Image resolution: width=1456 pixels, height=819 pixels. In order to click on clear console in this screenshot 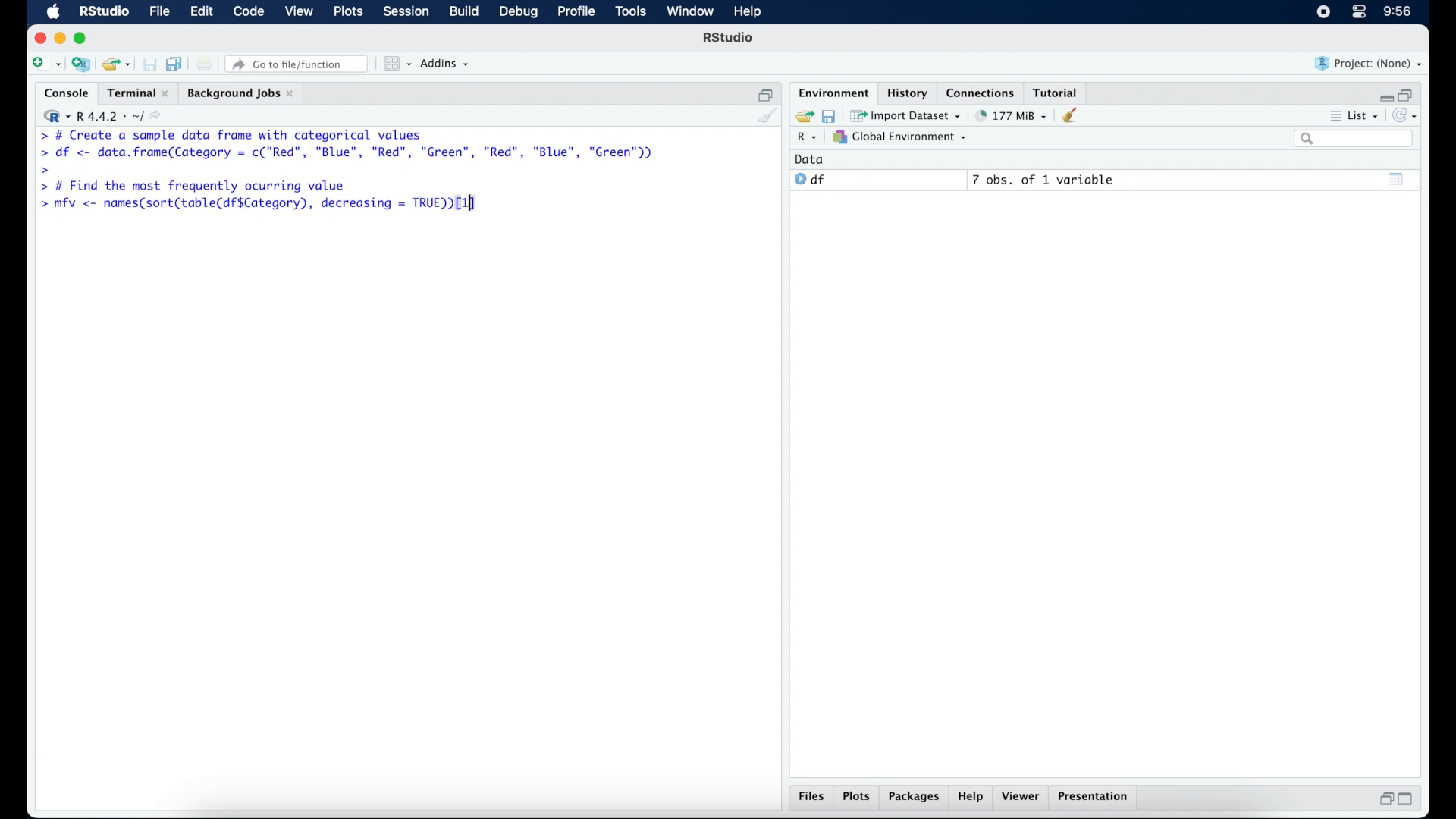, I will do `click(768, 116)`.